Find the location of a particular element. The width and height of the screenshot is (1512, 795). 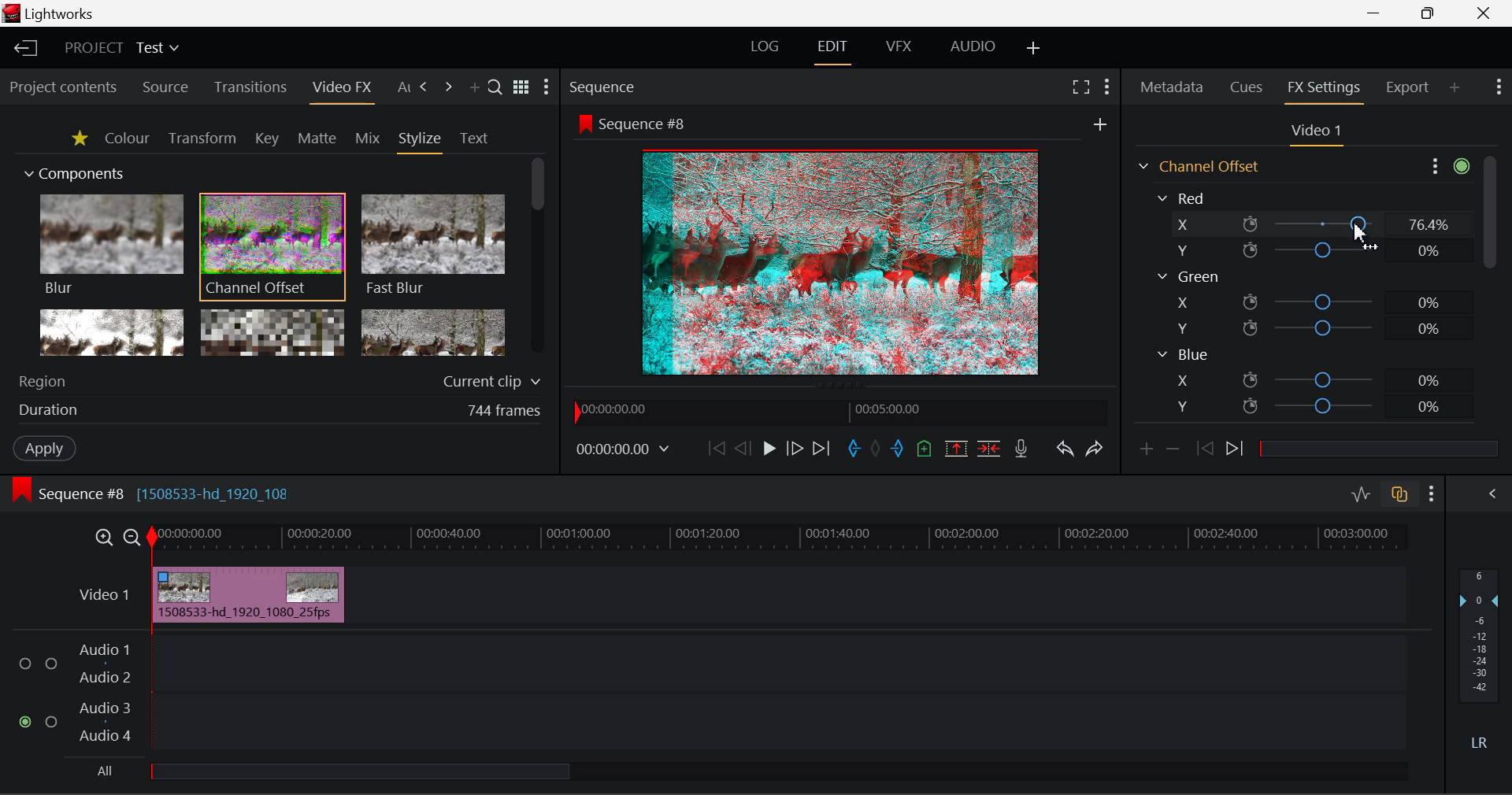

Fast Blur is located at coordinates (434, 246).